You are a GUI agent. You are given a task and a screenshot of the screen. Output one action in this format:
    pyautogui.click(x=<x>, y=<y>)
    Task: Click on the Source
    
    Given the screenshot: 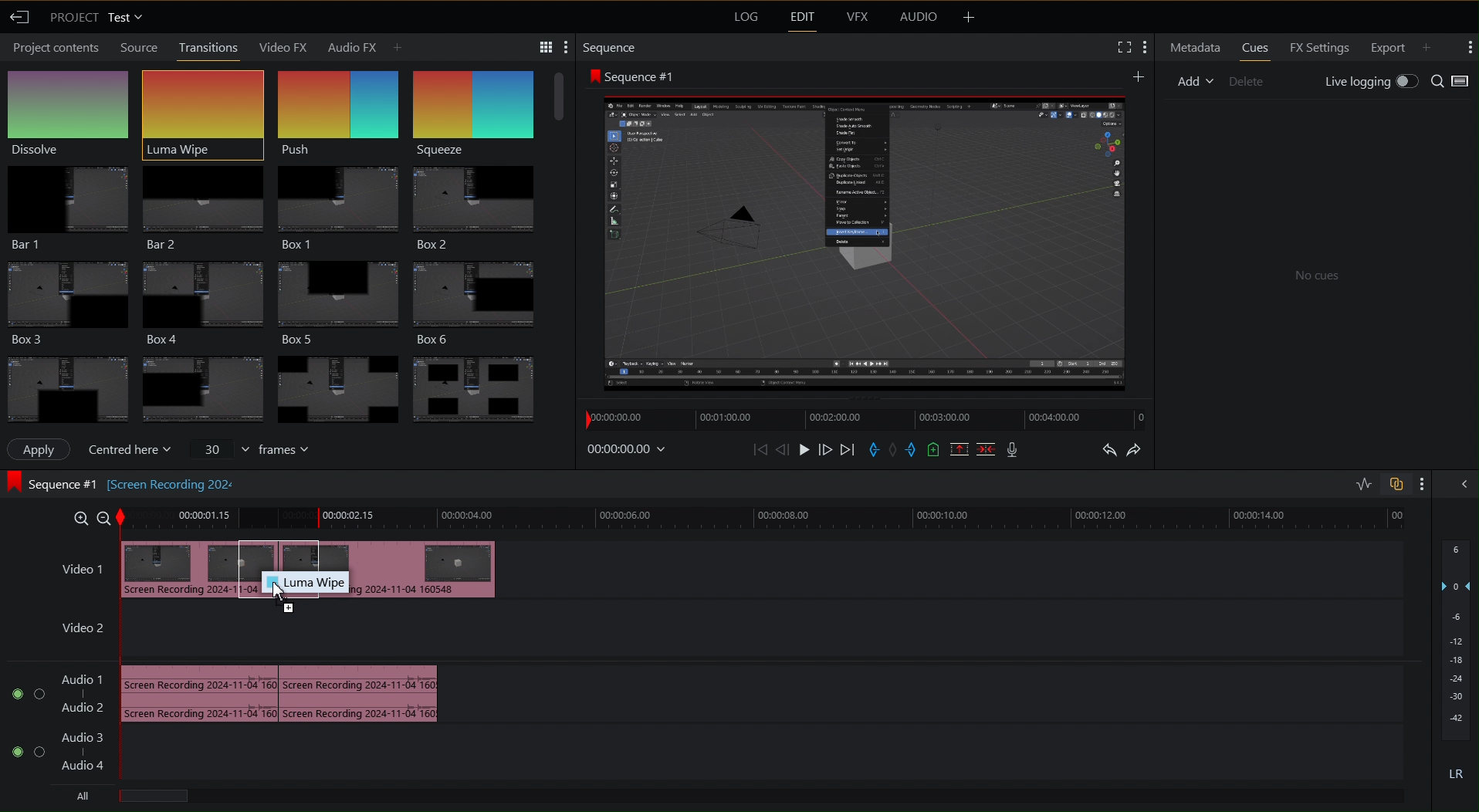 What is the action you would take?
    pyautogui.click(x=136, y=47)
    